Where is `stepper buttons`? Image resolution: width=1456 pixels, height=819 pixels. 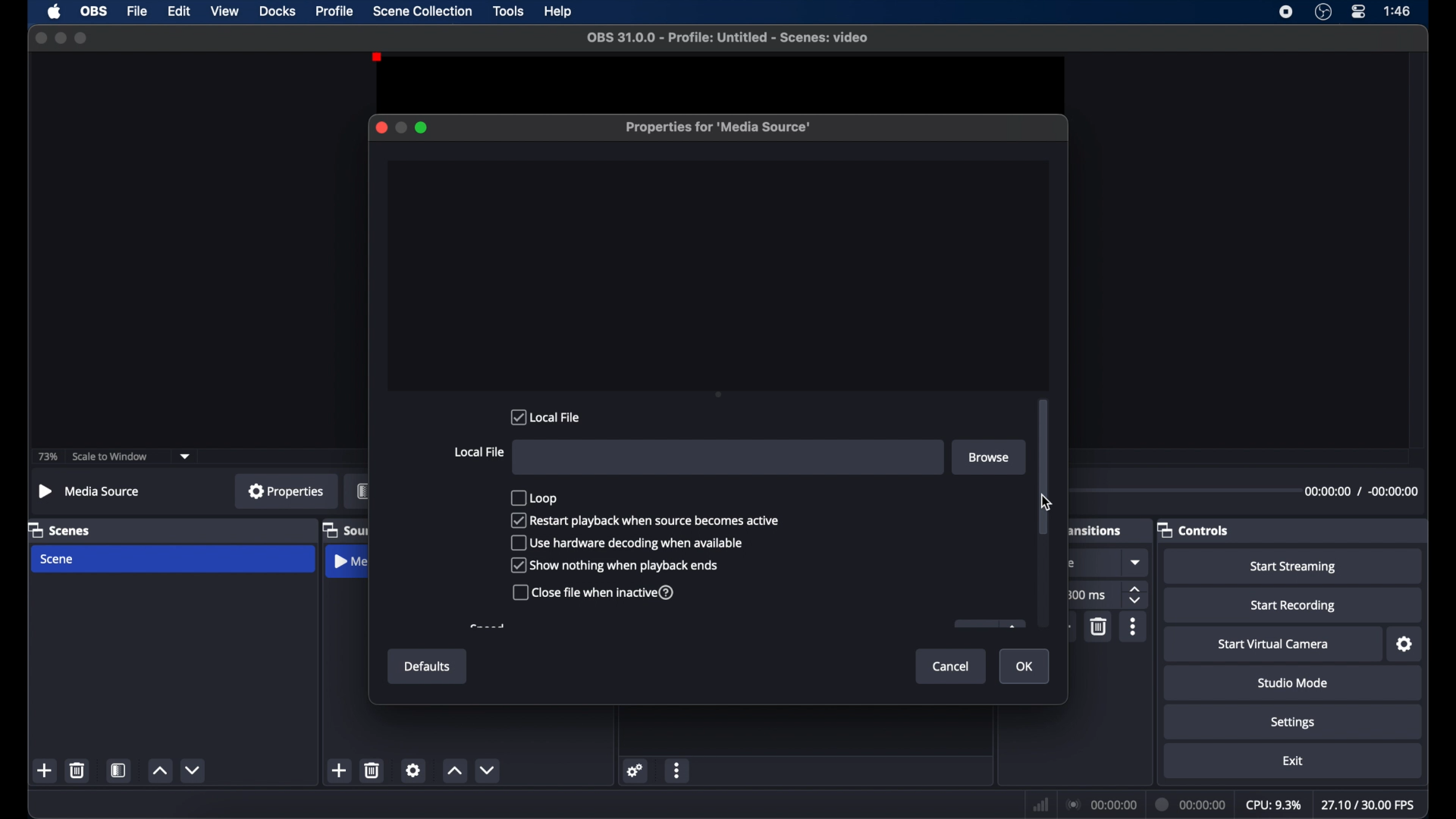
stepper buttons is located at coordinates (1136, 595).